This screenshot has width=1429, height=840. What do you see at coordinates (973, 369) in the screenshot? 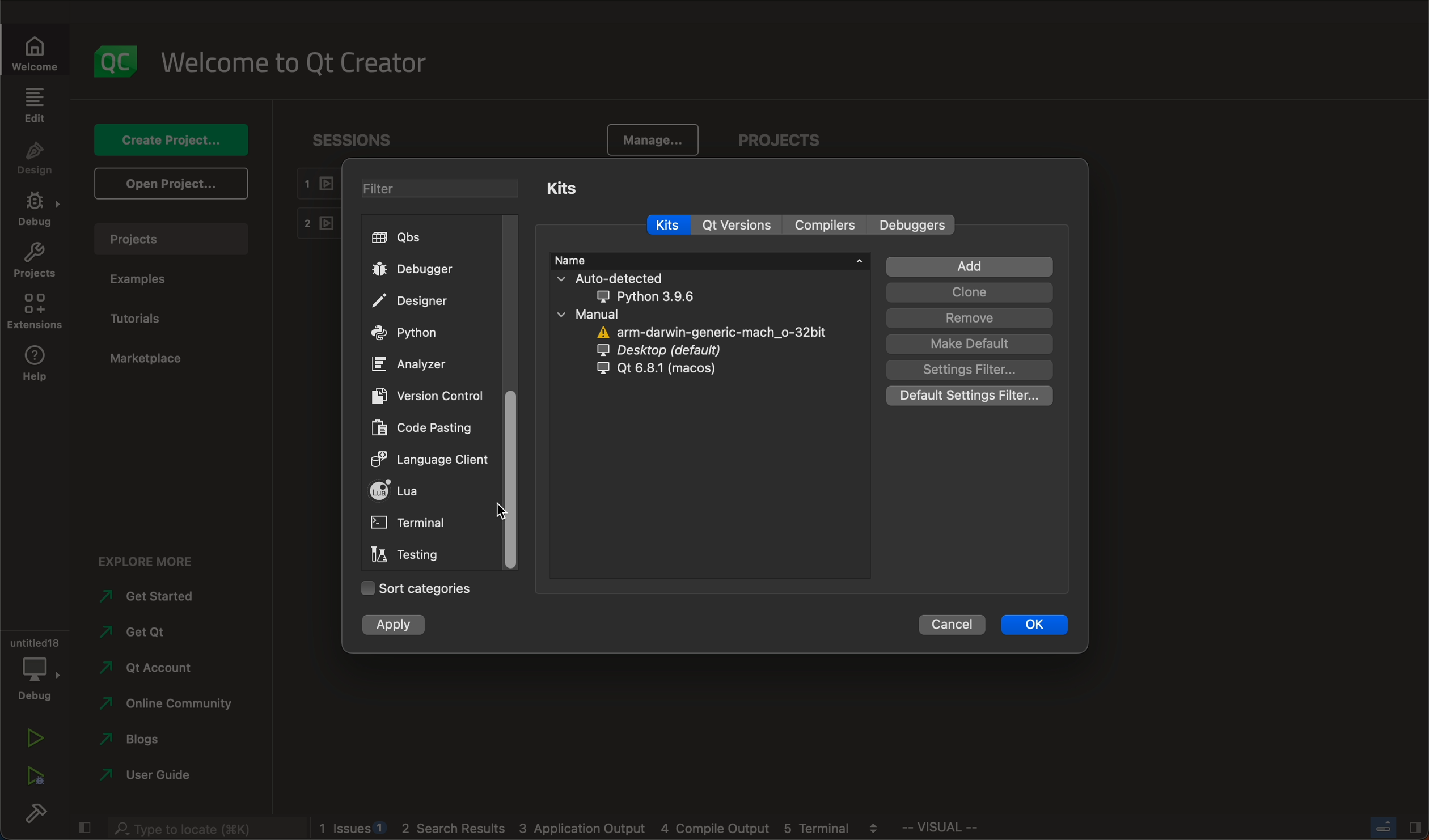
I see `settings` at bounding box center [973, 369].